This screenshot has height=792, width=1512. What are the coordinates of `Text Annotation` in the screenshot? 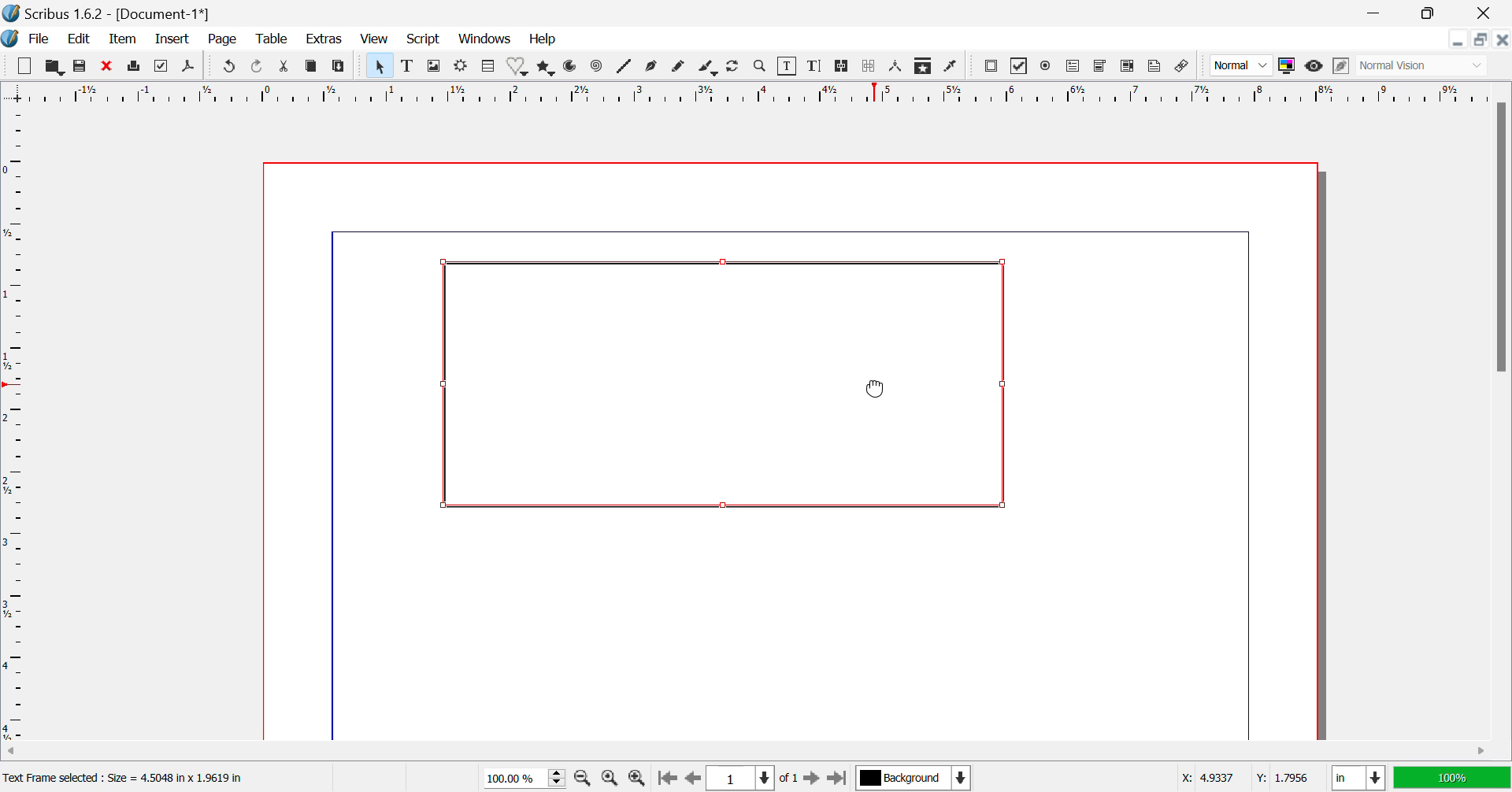 It's located at (1156, 67).